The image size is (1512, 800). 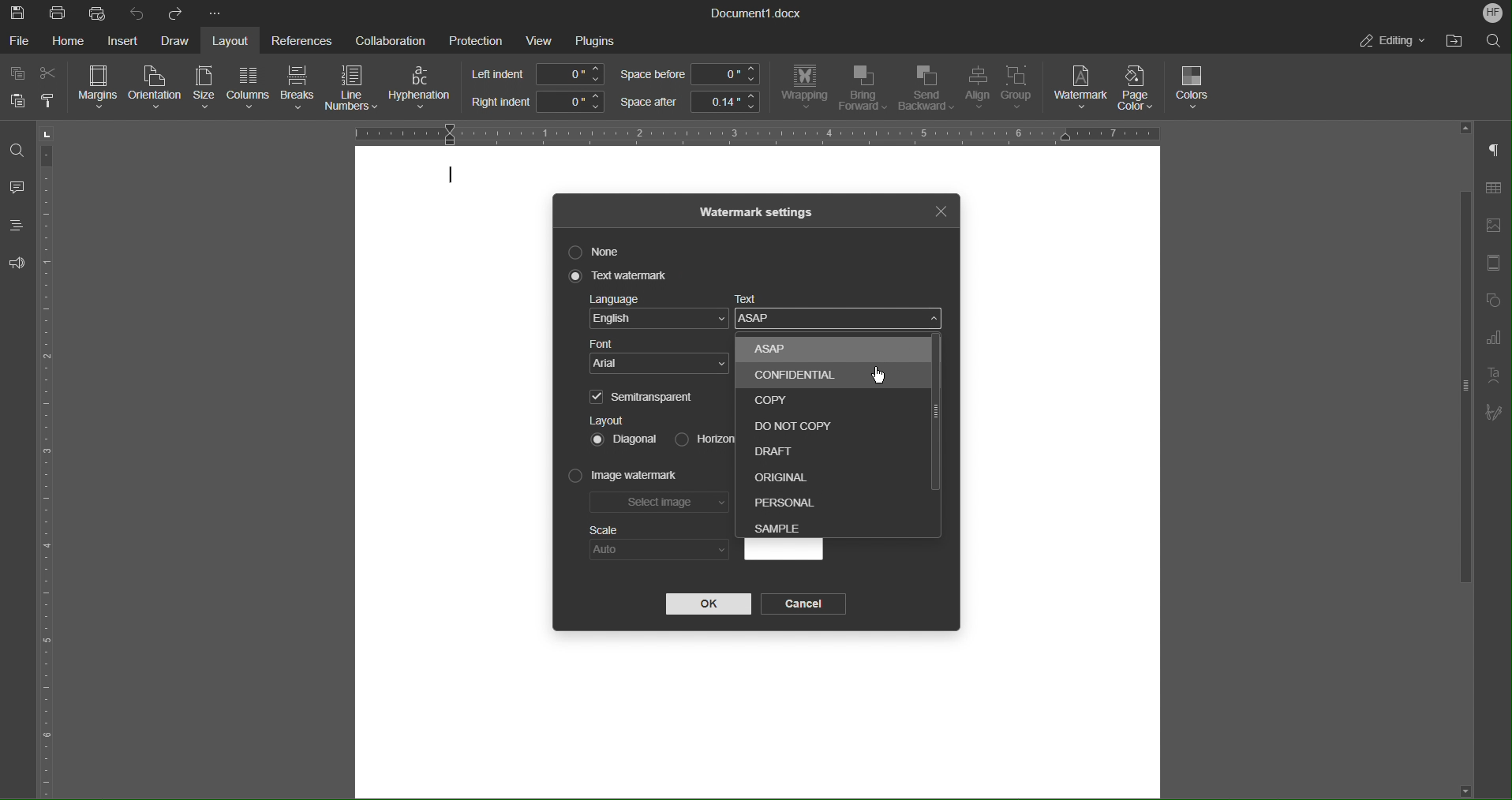 What do you see at coordinates (624, 477) in the screenshot?
I see `Image Watermark` at bounding box center [624, 477].